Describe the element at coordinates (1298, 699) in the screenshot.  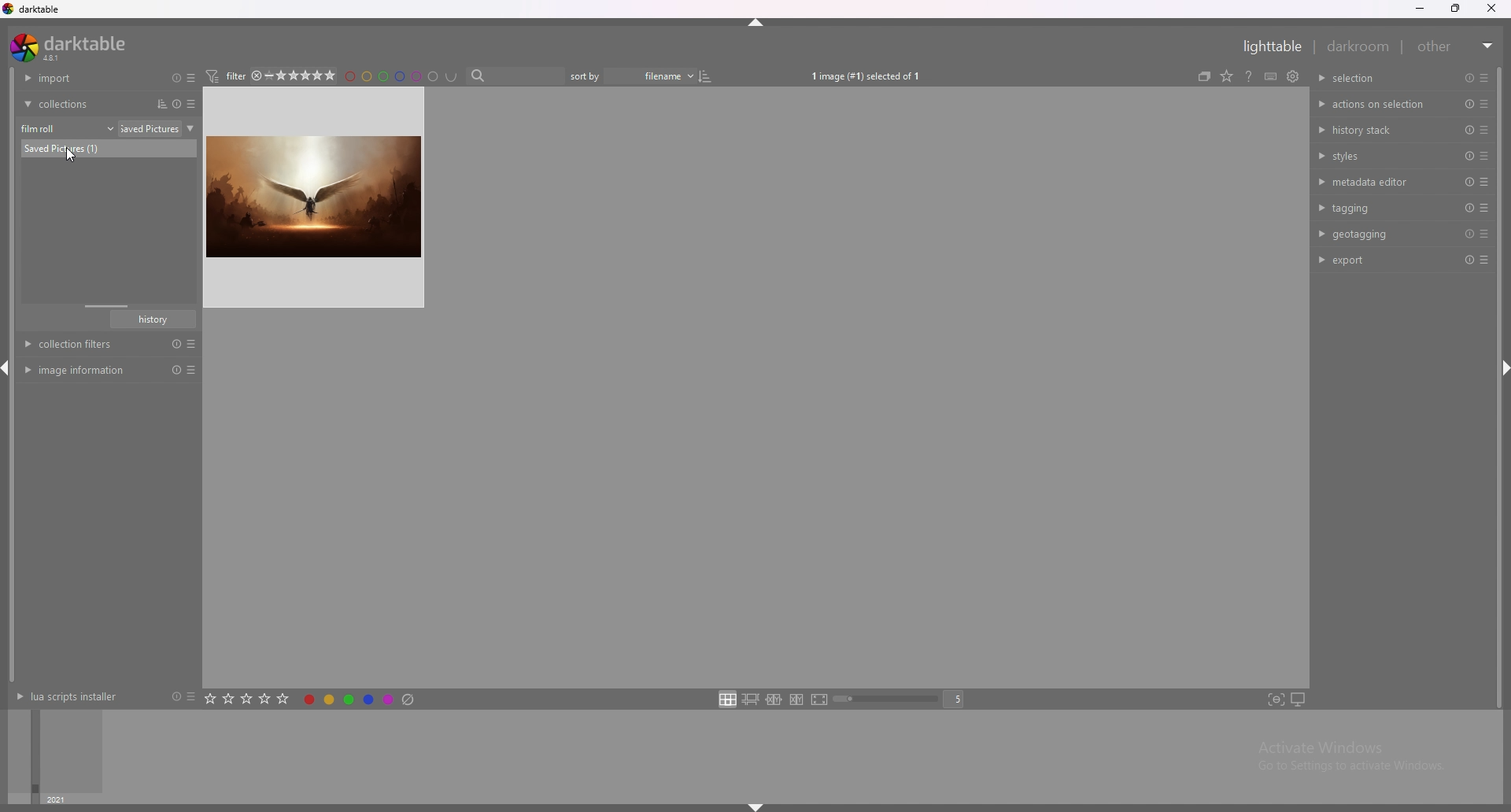
I see `set display profile` at that location.